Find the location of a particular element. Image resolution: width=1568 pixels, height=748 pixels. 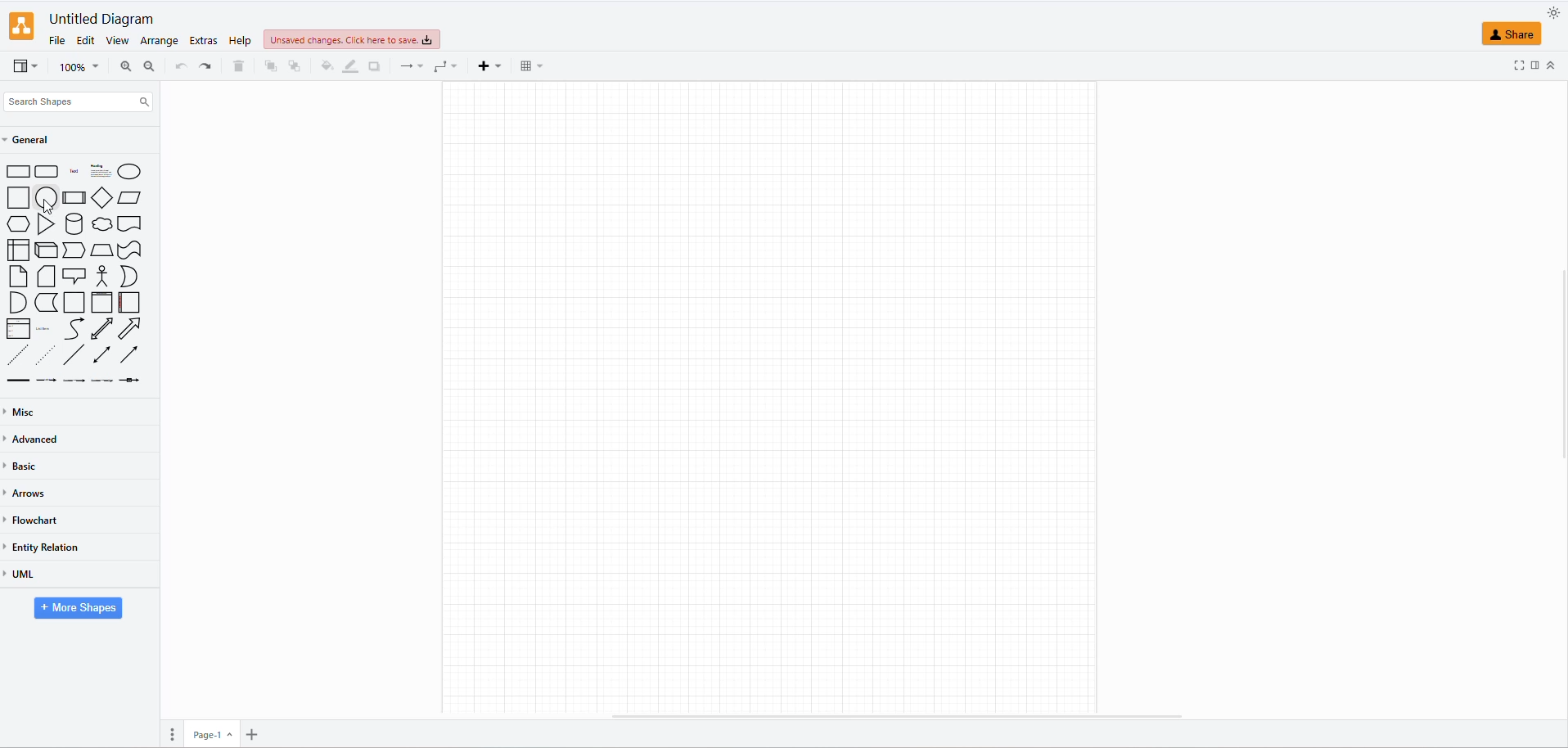

DIAMOND is located at coordinates (100, 198).